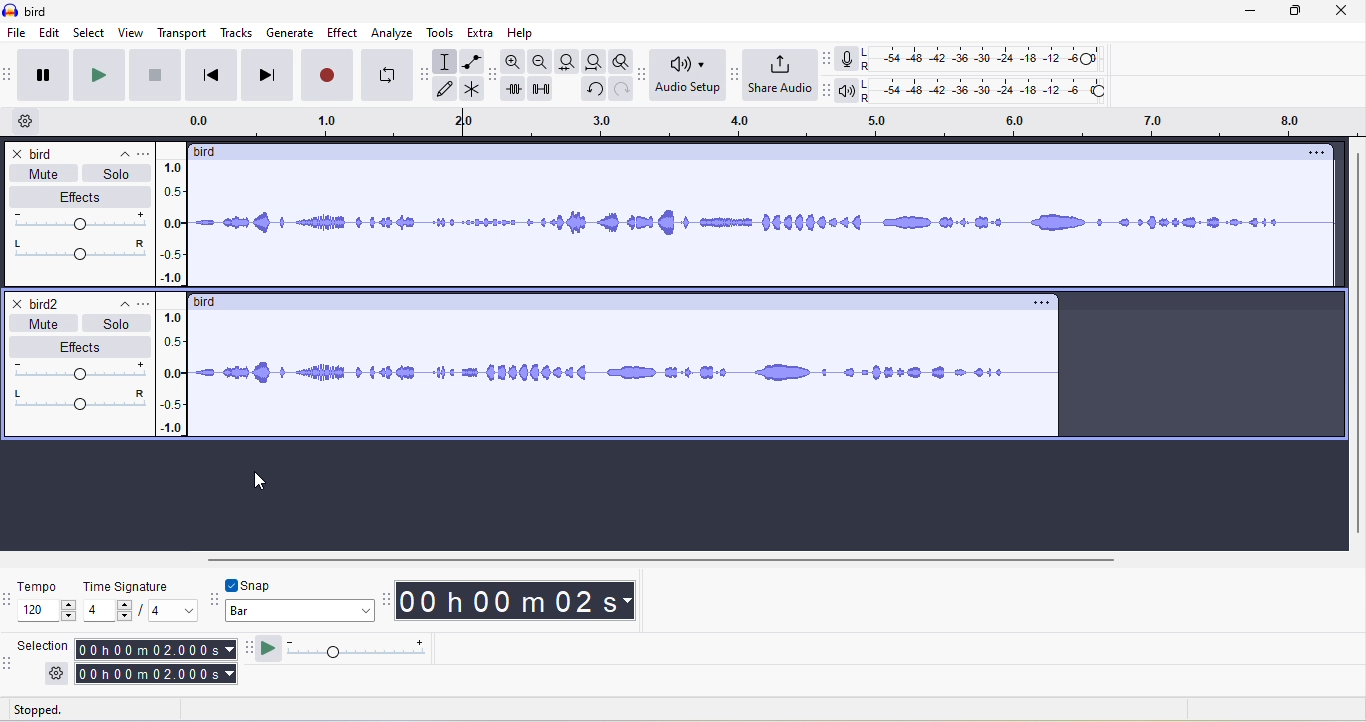 The image size is (1366, 722). I want to click on selection tool, so click(447, 63).